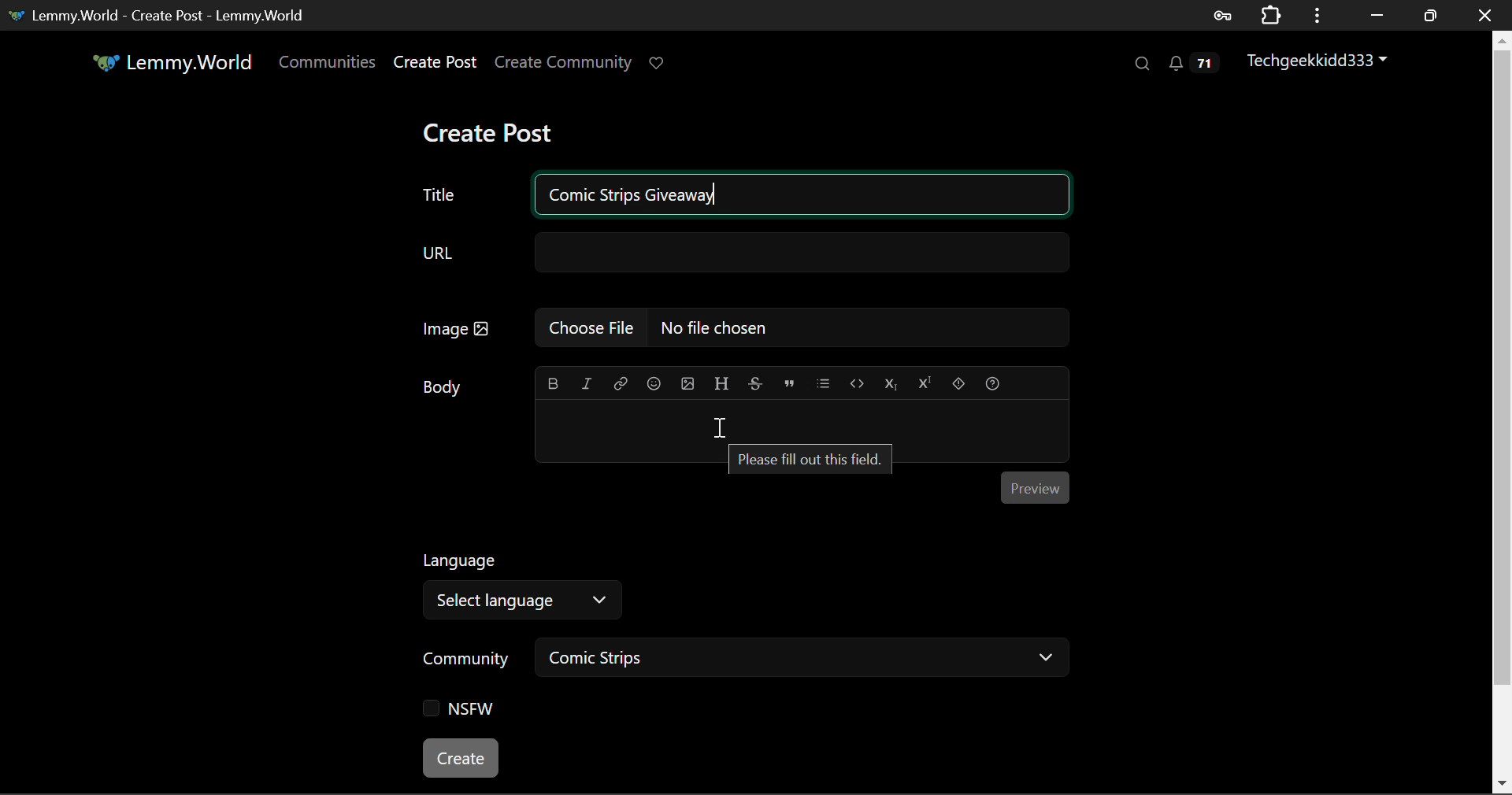 The image size is (1512, 795). I want to click on Options, so click(1315, 15).